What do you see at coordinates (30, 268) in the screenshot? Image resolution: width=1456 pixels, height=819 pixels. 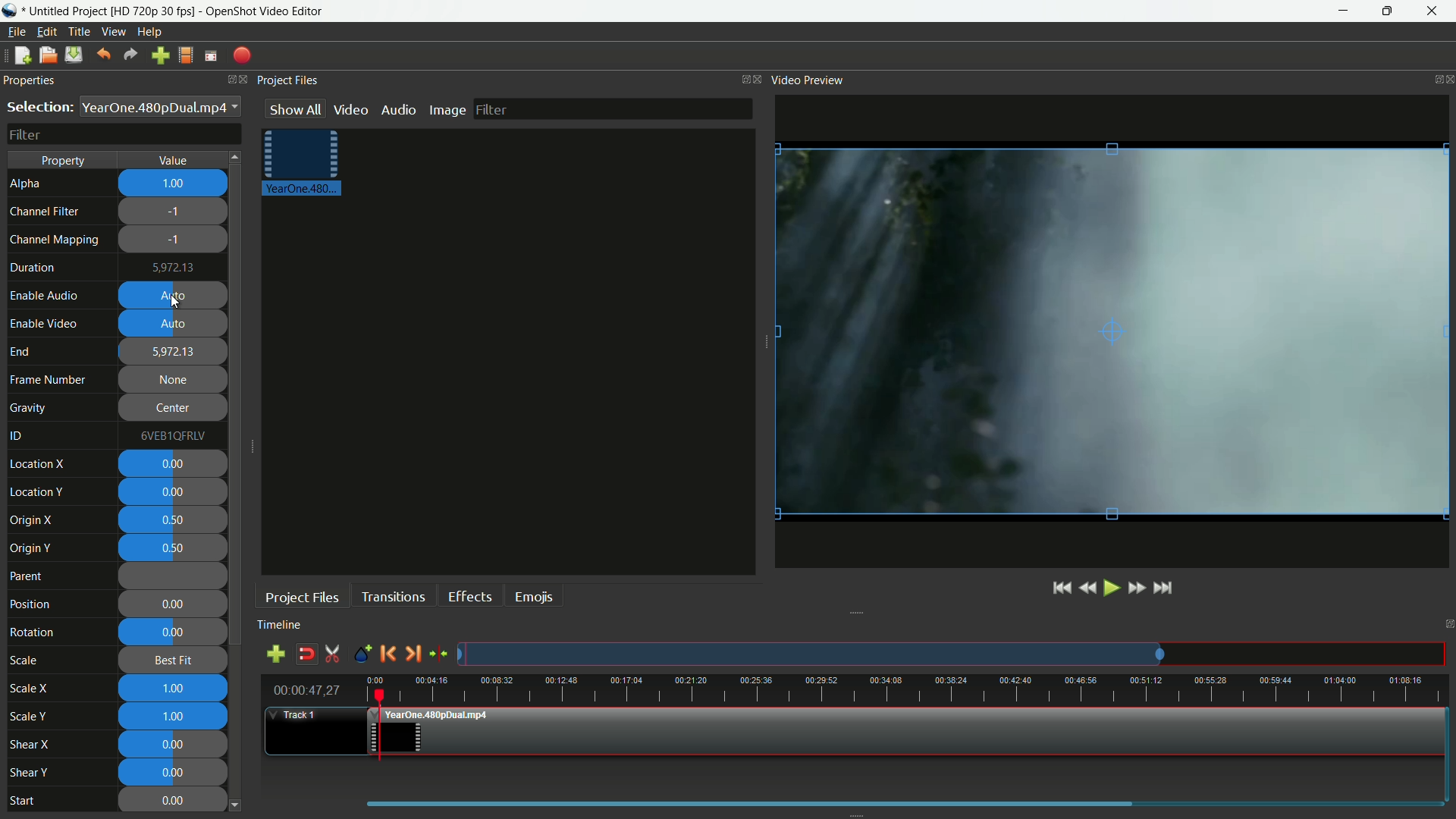 I see `duration` at bounding box center [30, 268].